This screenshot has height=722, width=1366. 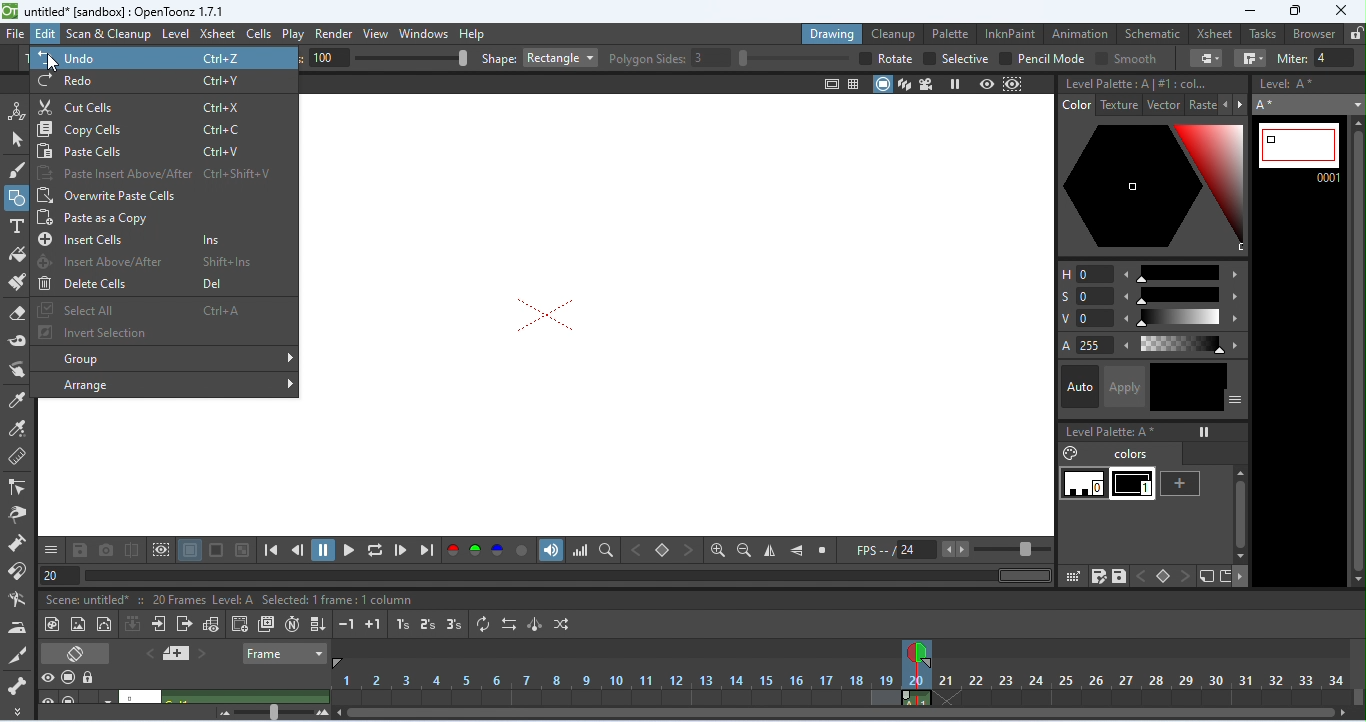 I want to click on render, so click(x=333, y=34).